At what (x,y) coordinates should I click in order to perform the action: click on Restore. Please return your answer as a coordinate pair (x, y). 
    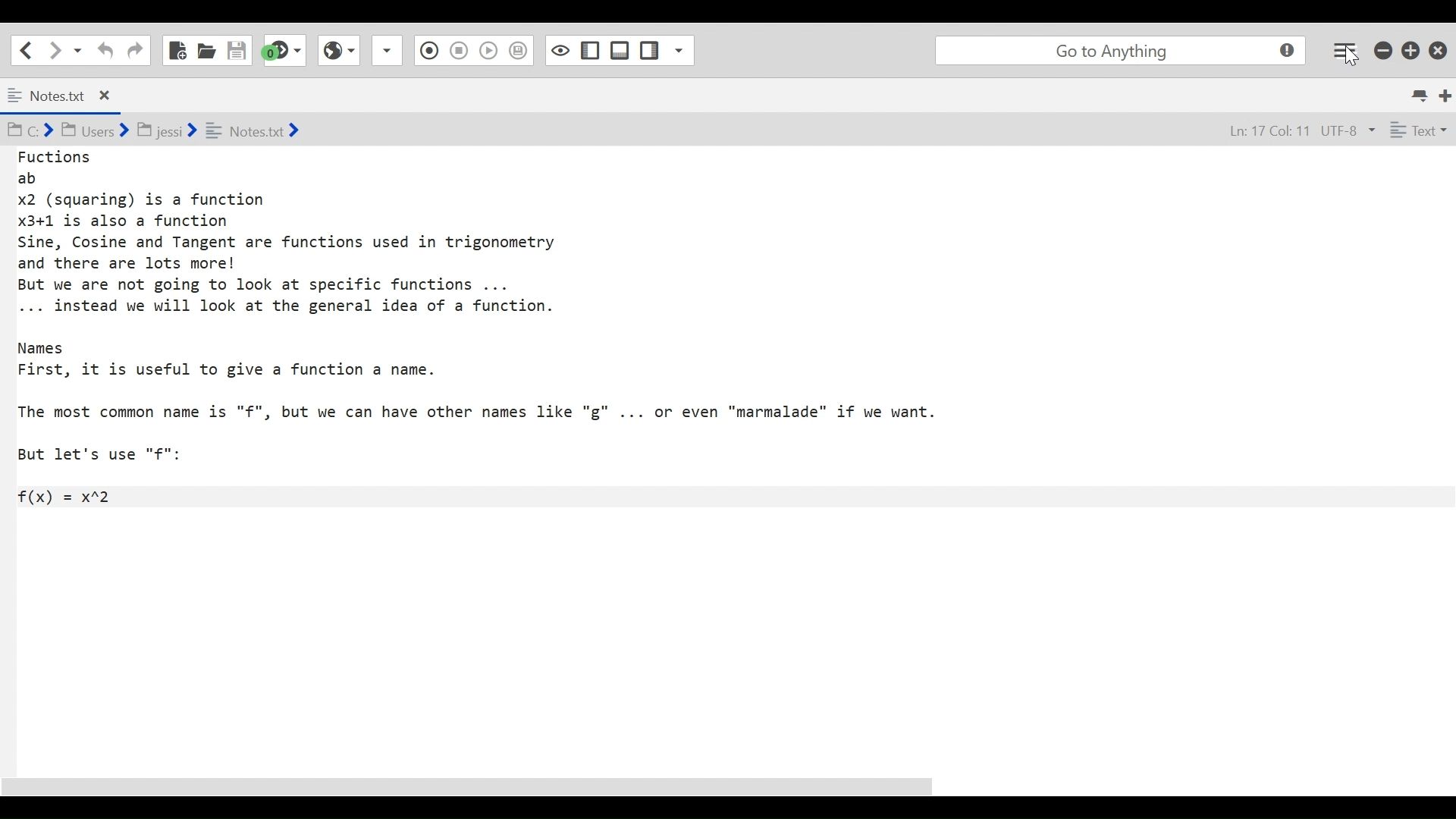
    Looking at the image, I should click on (1411, 49).